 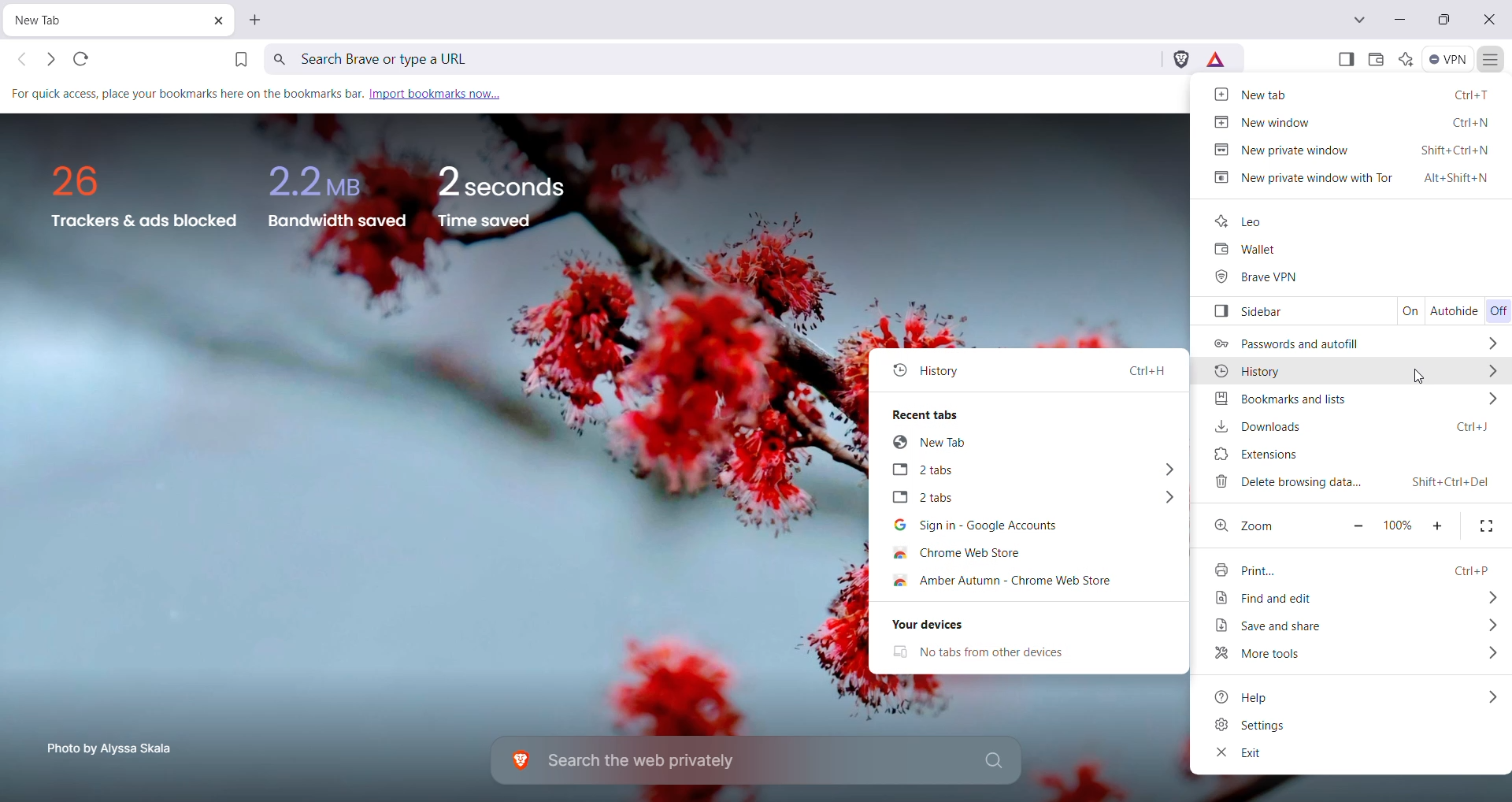 I want to click on Earn tokens for private Ads you see on Brave, so click(x=1217, y=59).